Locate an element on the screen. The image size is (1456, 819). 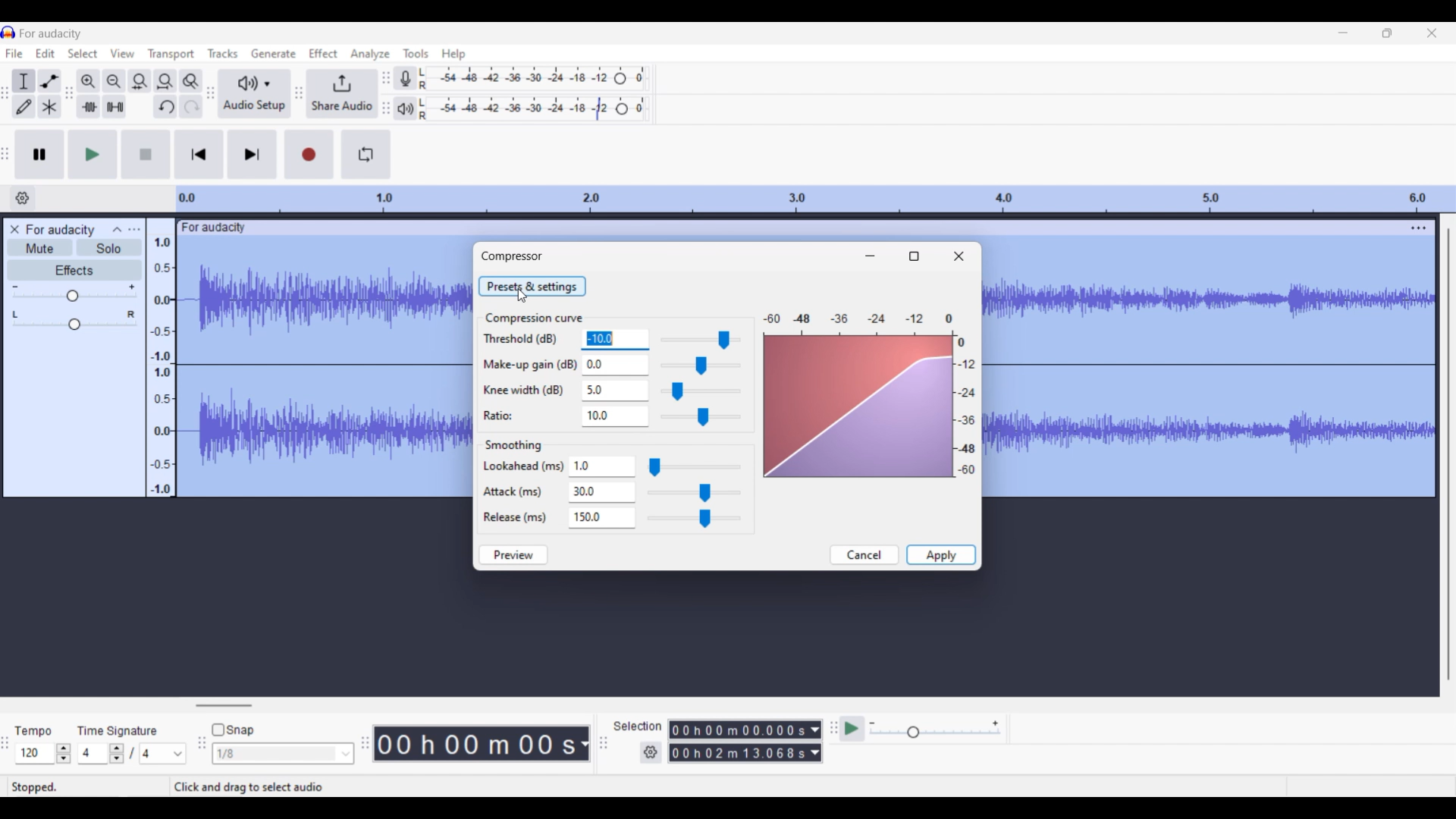
Record/Record new track is located at coordinates (309, 155).